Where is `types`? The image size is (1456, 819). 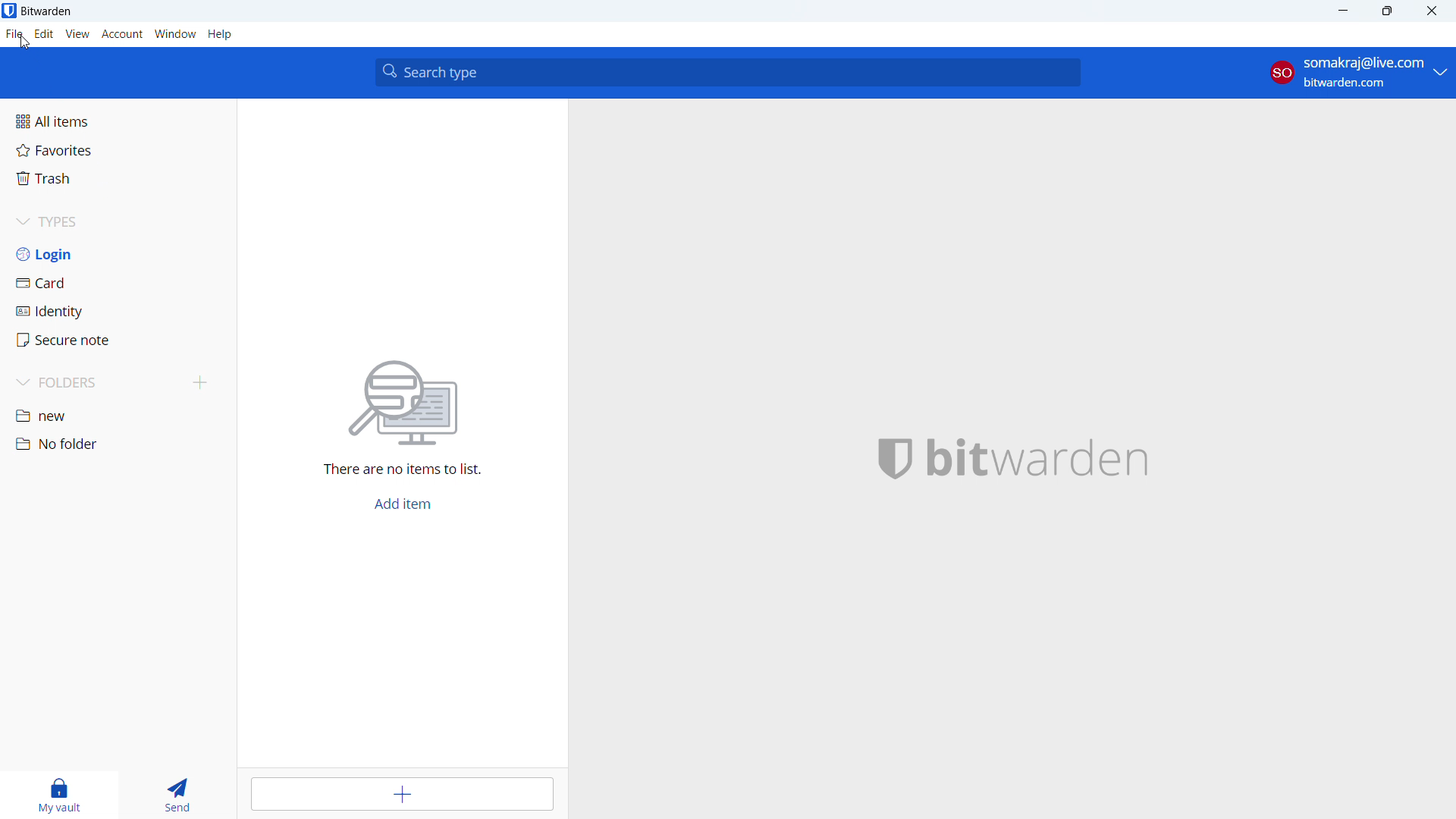 types is located at coordinates (118, 222).